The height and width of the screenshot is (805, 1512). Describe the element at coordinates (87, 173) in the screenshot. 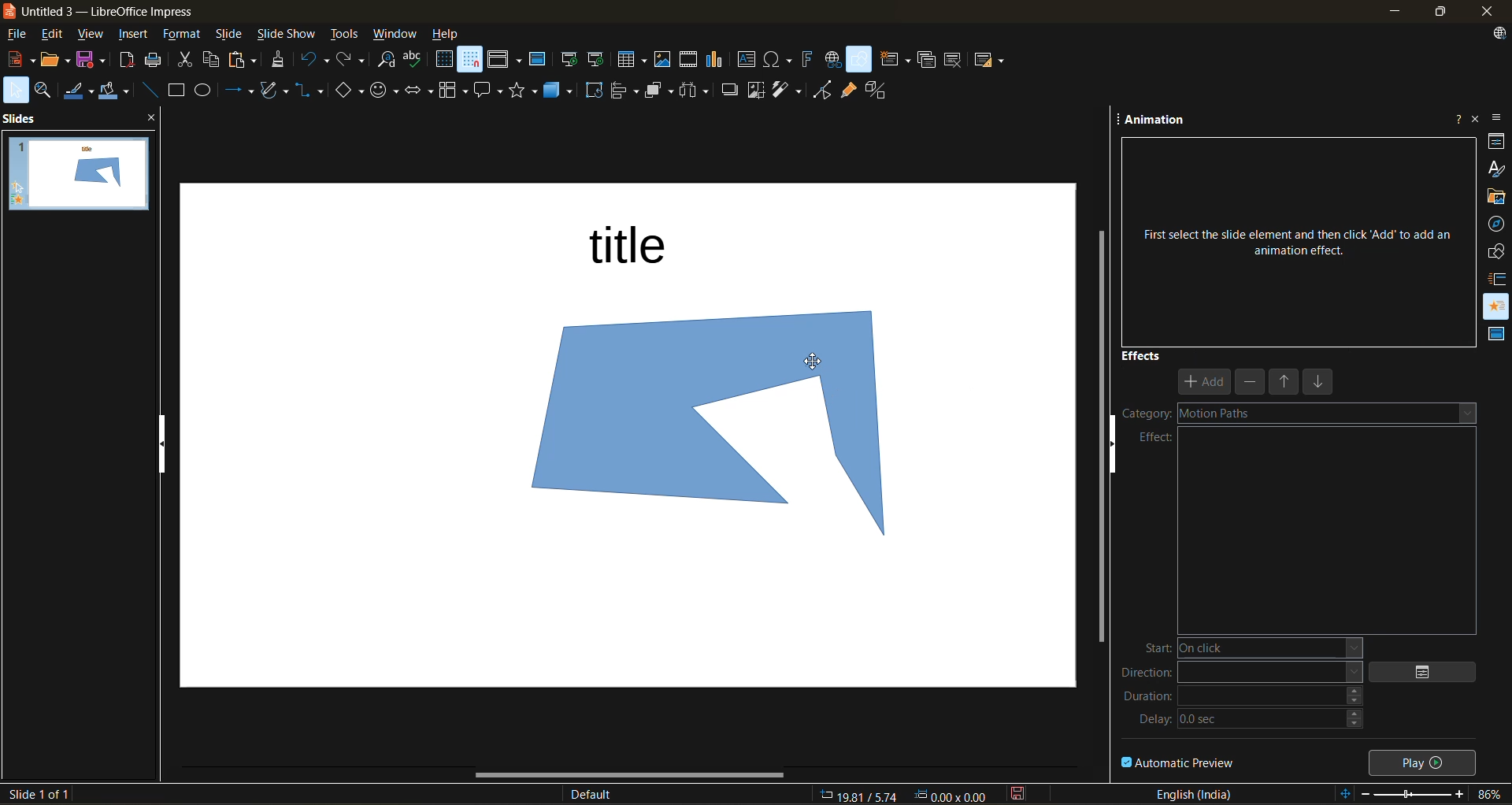

I see `slides` at that location.